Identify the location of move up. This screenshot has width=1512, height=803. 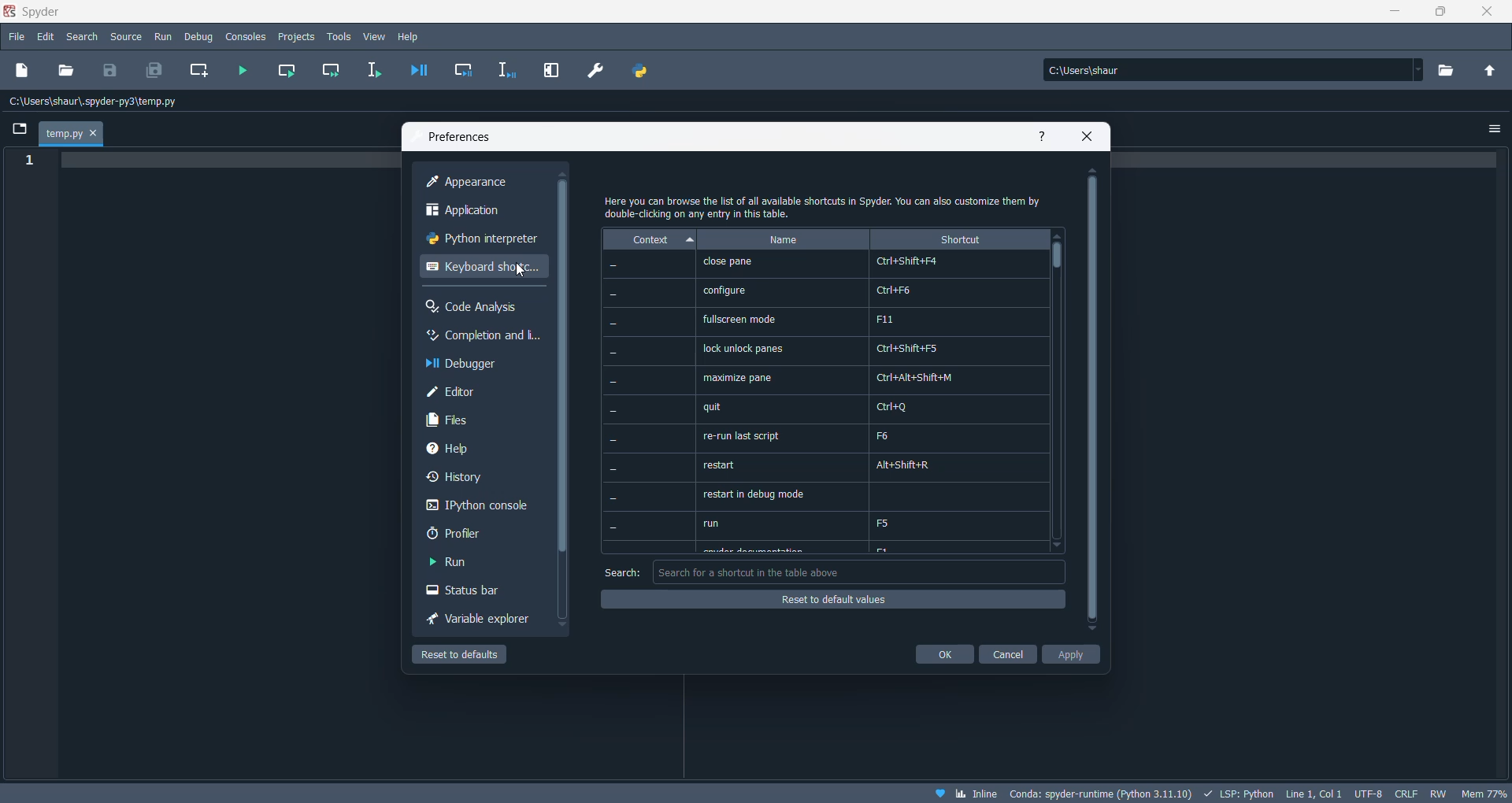
(1059, 235).